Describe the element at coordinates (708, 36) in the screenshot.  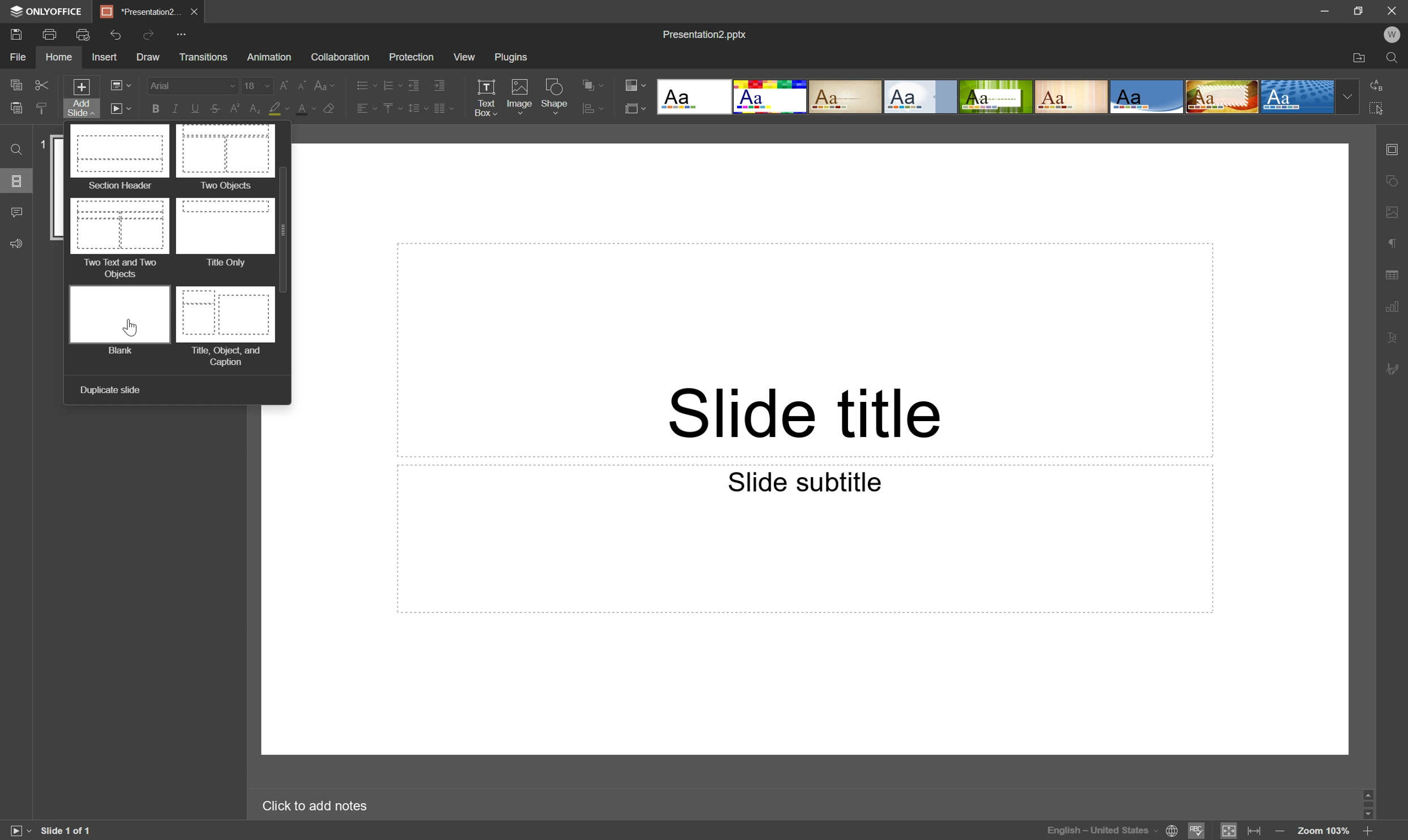
I see `Presentation2.pptx` at that location.